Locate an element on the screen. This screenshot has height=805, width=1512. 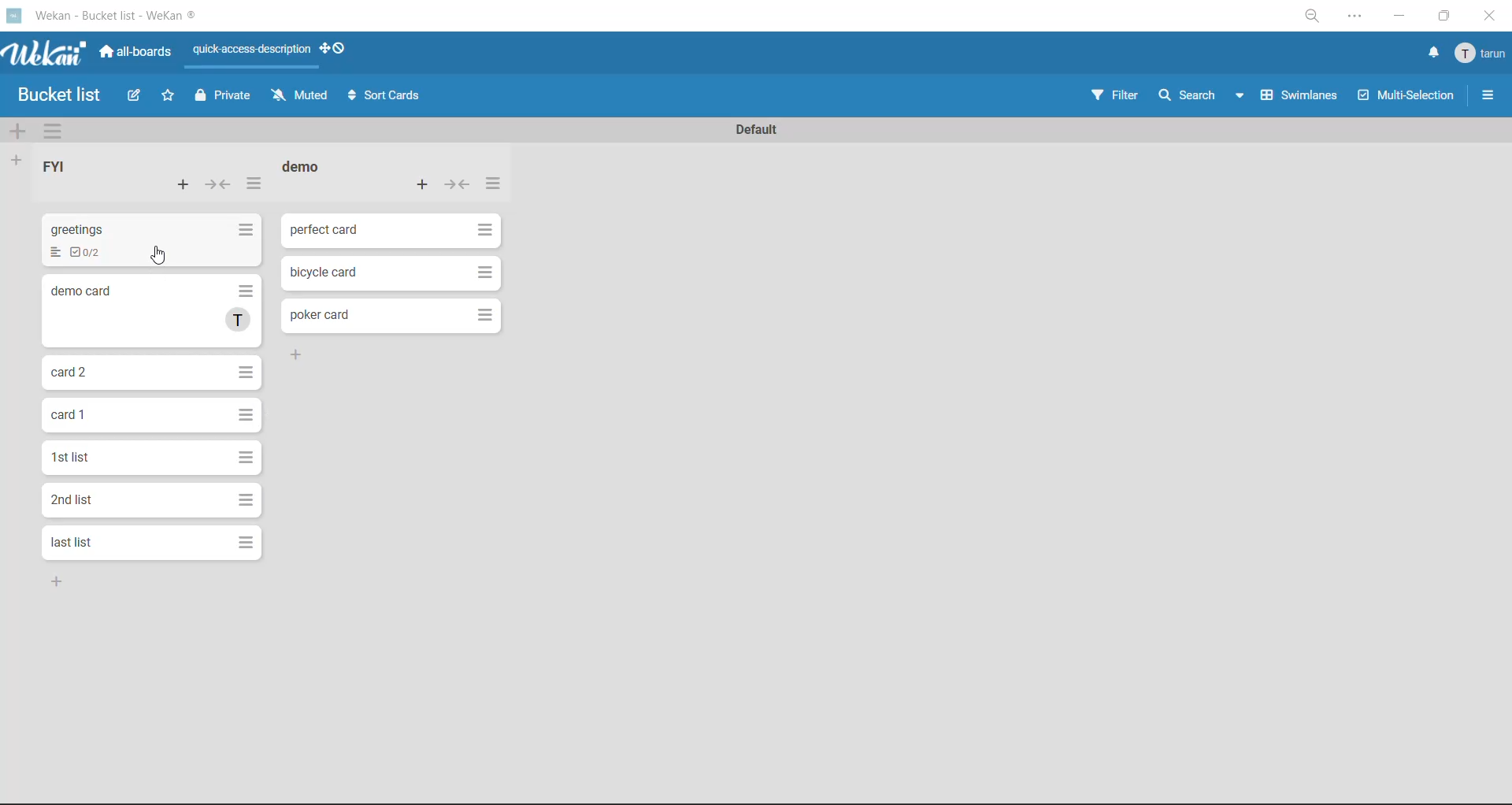
notifications is located at coordinates (1434, 54).